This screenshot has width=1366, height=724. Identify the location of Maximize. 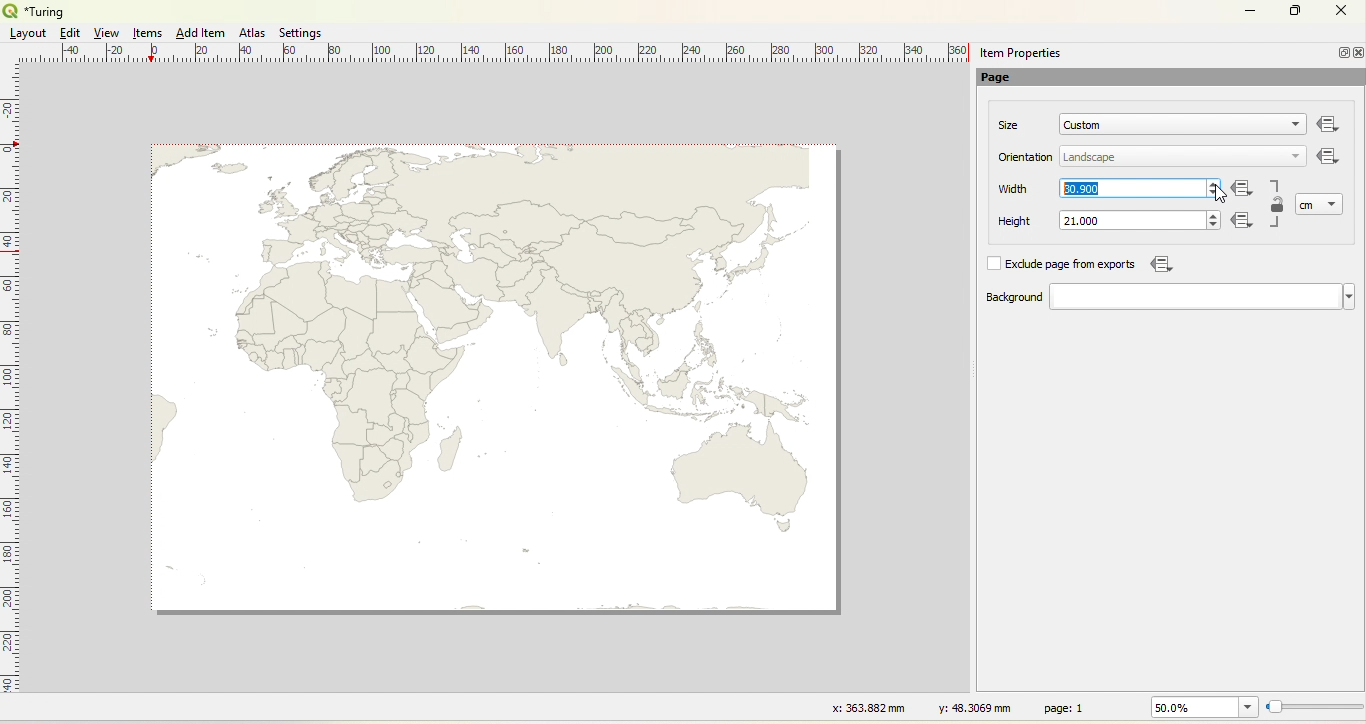
(1296, 12).